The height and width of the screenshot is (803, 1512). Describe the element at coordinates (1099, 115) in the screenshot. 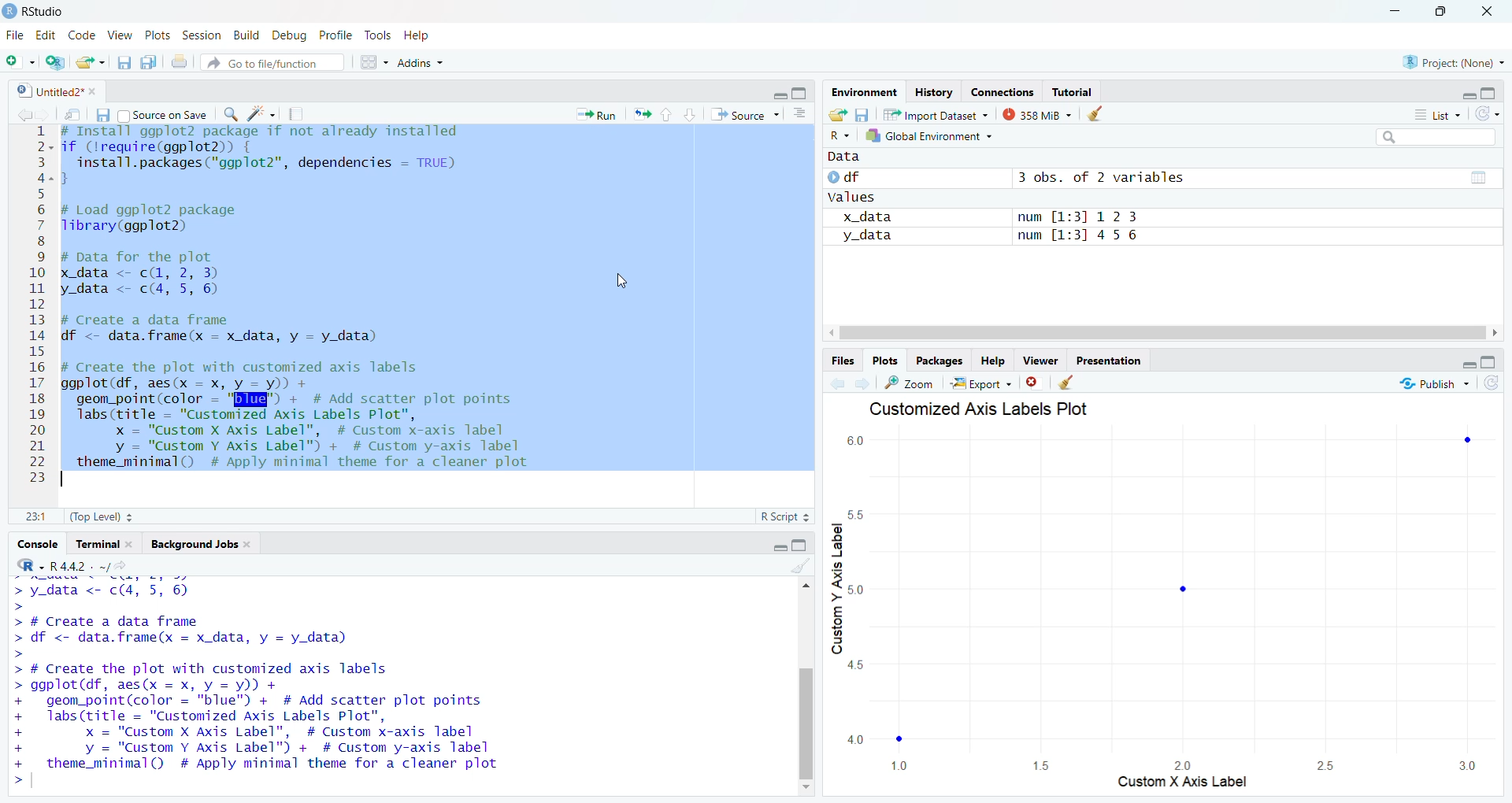

I see `clear` at that location.